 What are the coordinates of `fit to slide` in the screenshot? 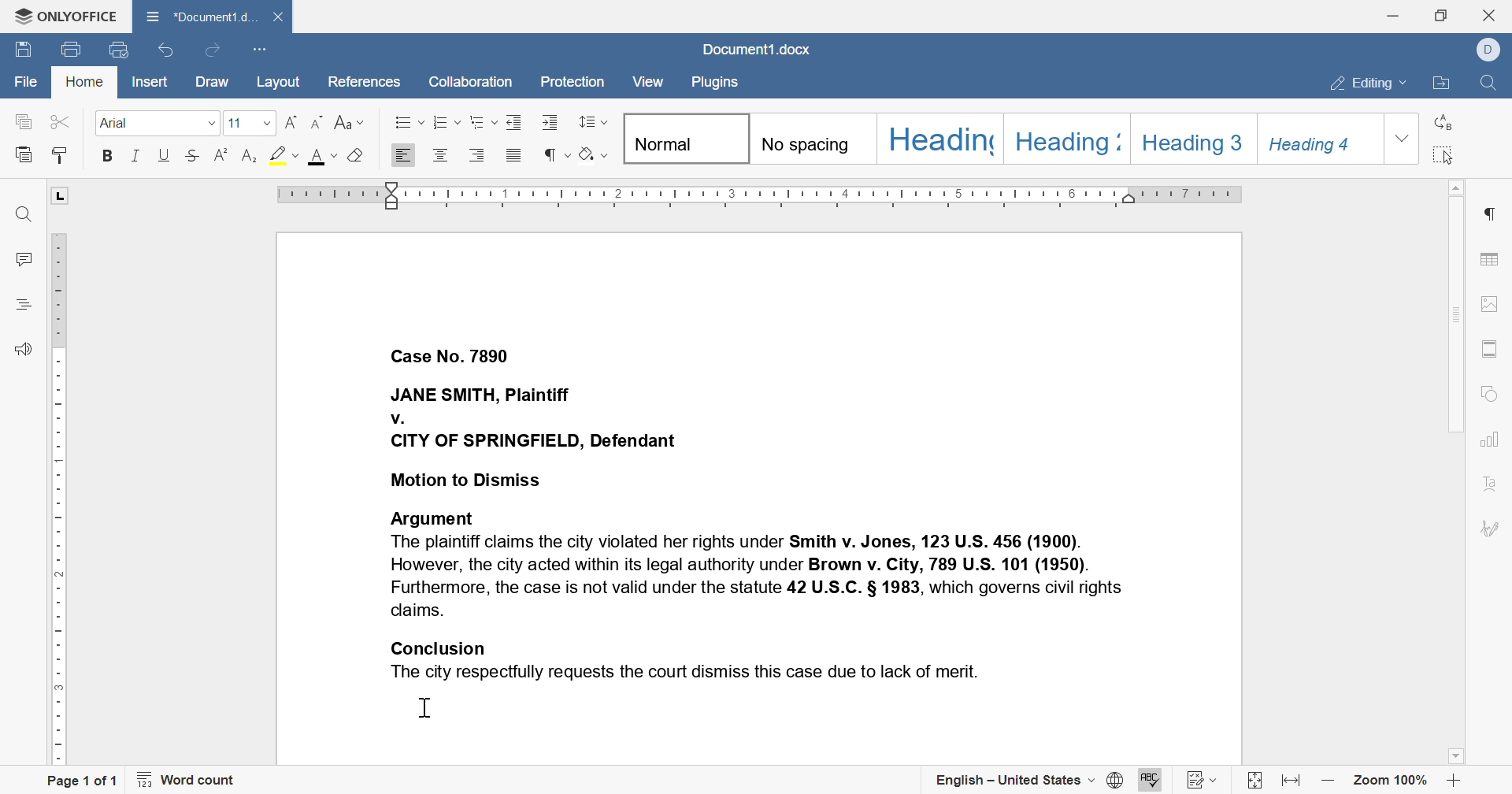 It's located at (1254, 781).